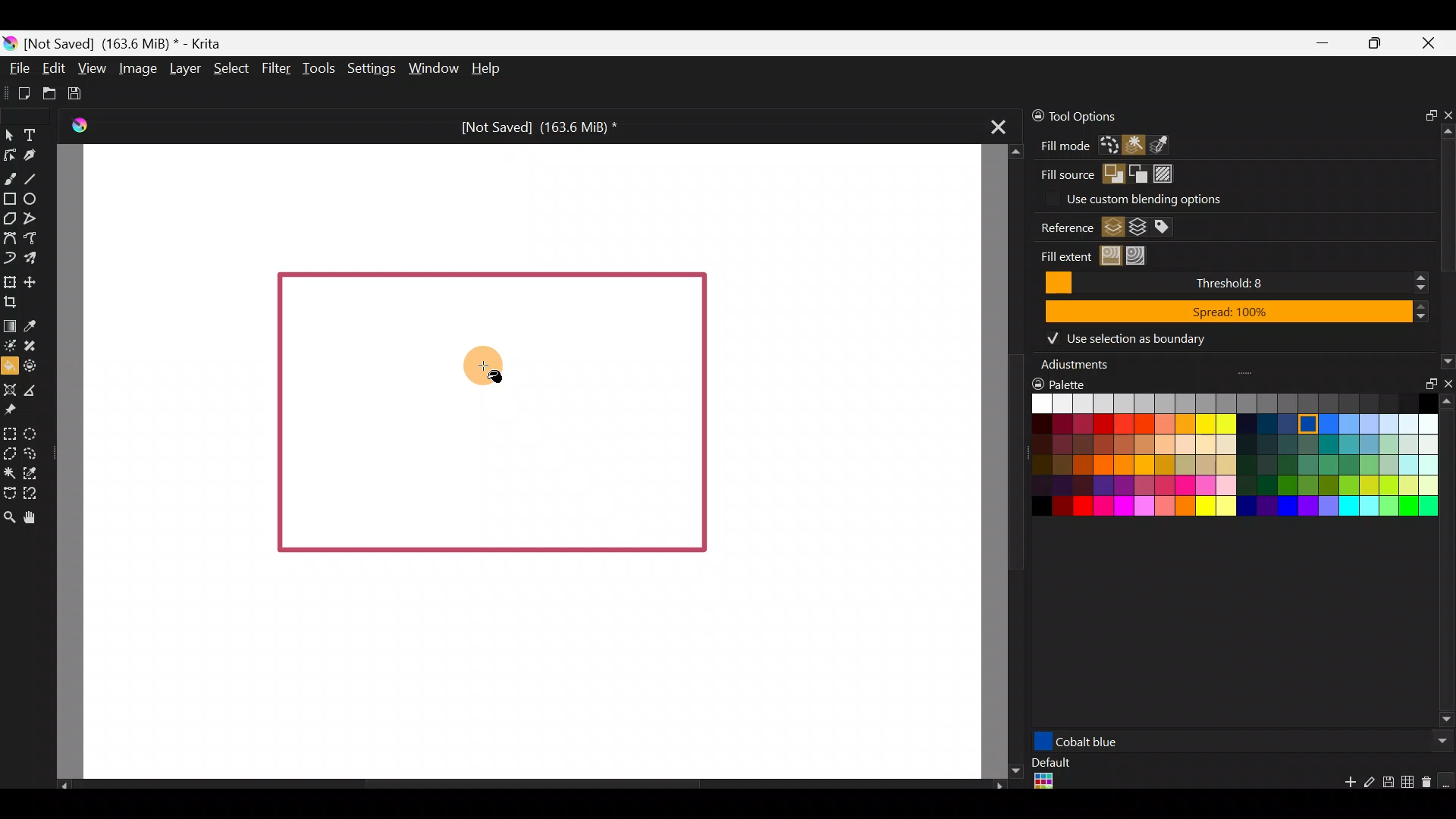 This screenshot has height=819, width=1456. Describe the element at coordinates (1060, 145) in the screenshot. I see `Fill mode` at that location.